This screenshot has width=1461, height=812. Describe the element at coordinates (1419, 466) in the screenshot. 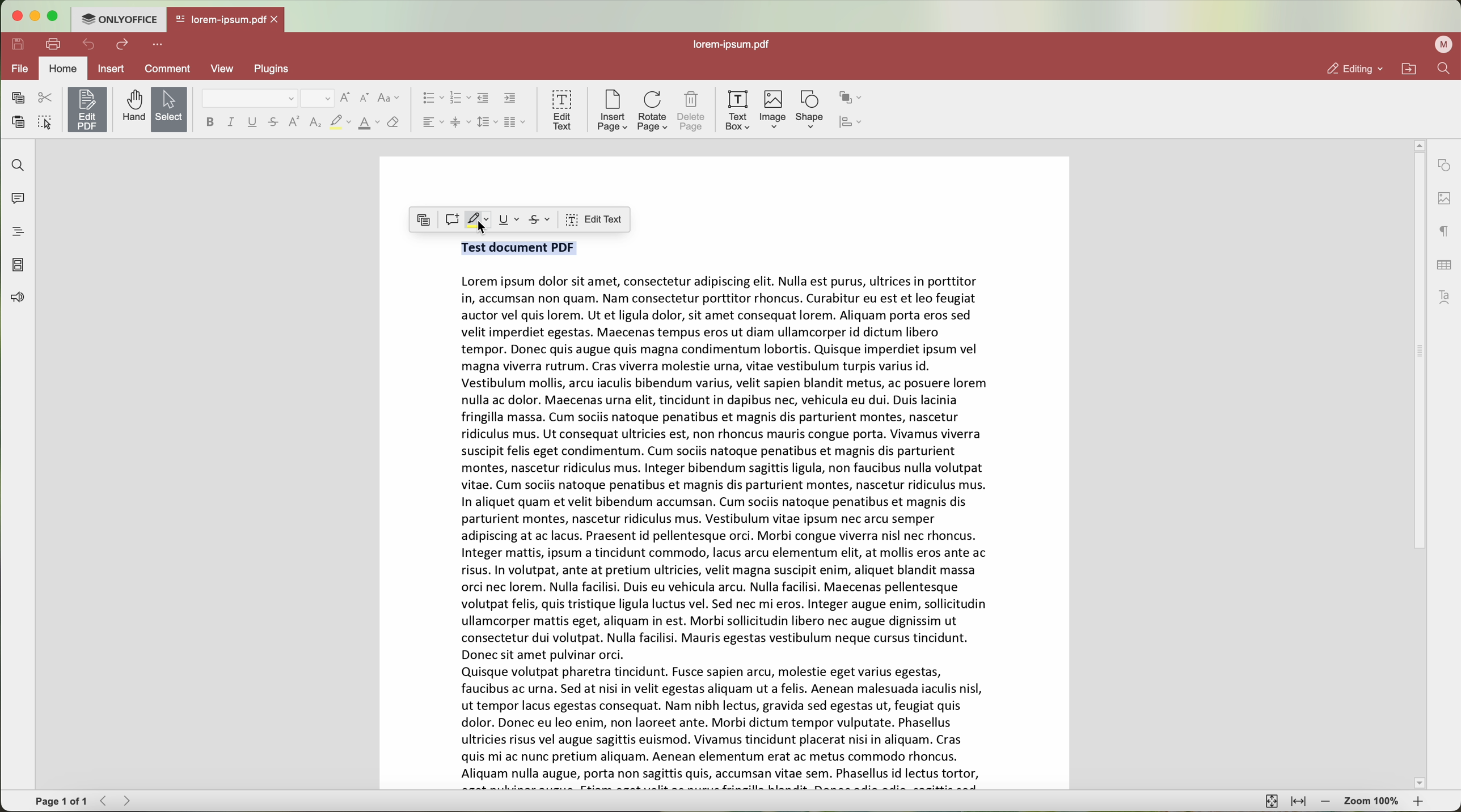

I see `scroll bar` at that location.